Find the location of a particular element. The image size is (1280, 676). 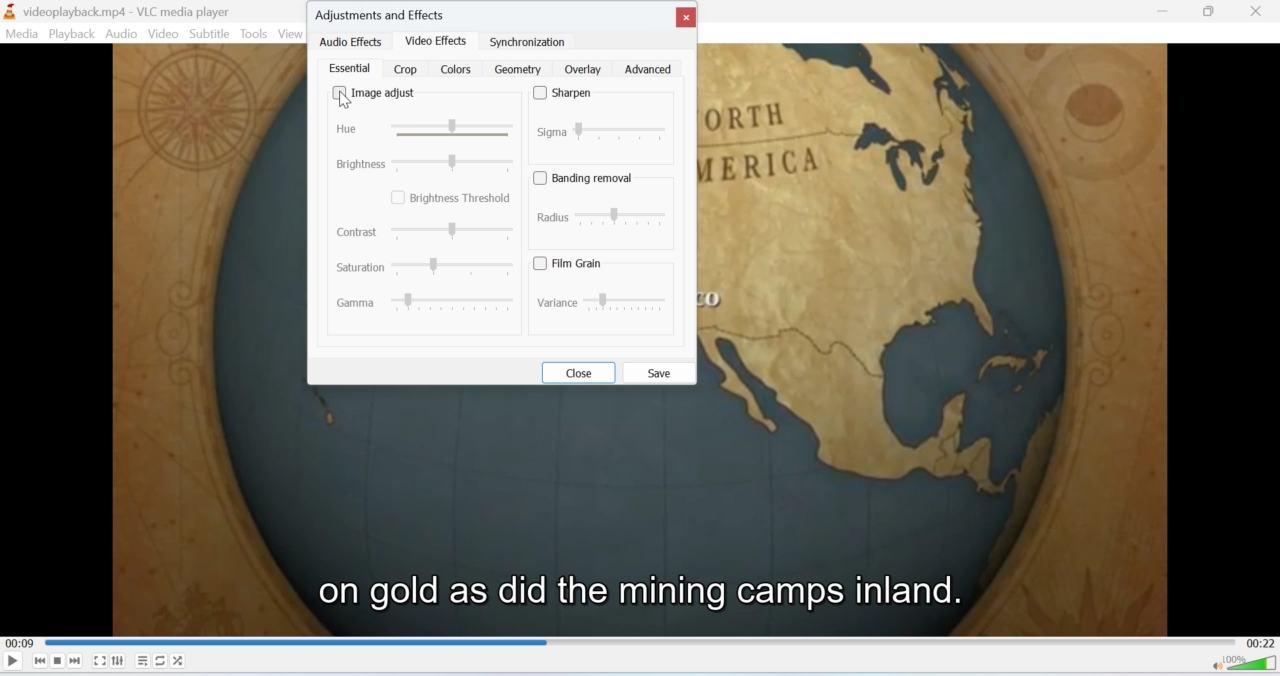

Hue is located at coordinates (425, 130).